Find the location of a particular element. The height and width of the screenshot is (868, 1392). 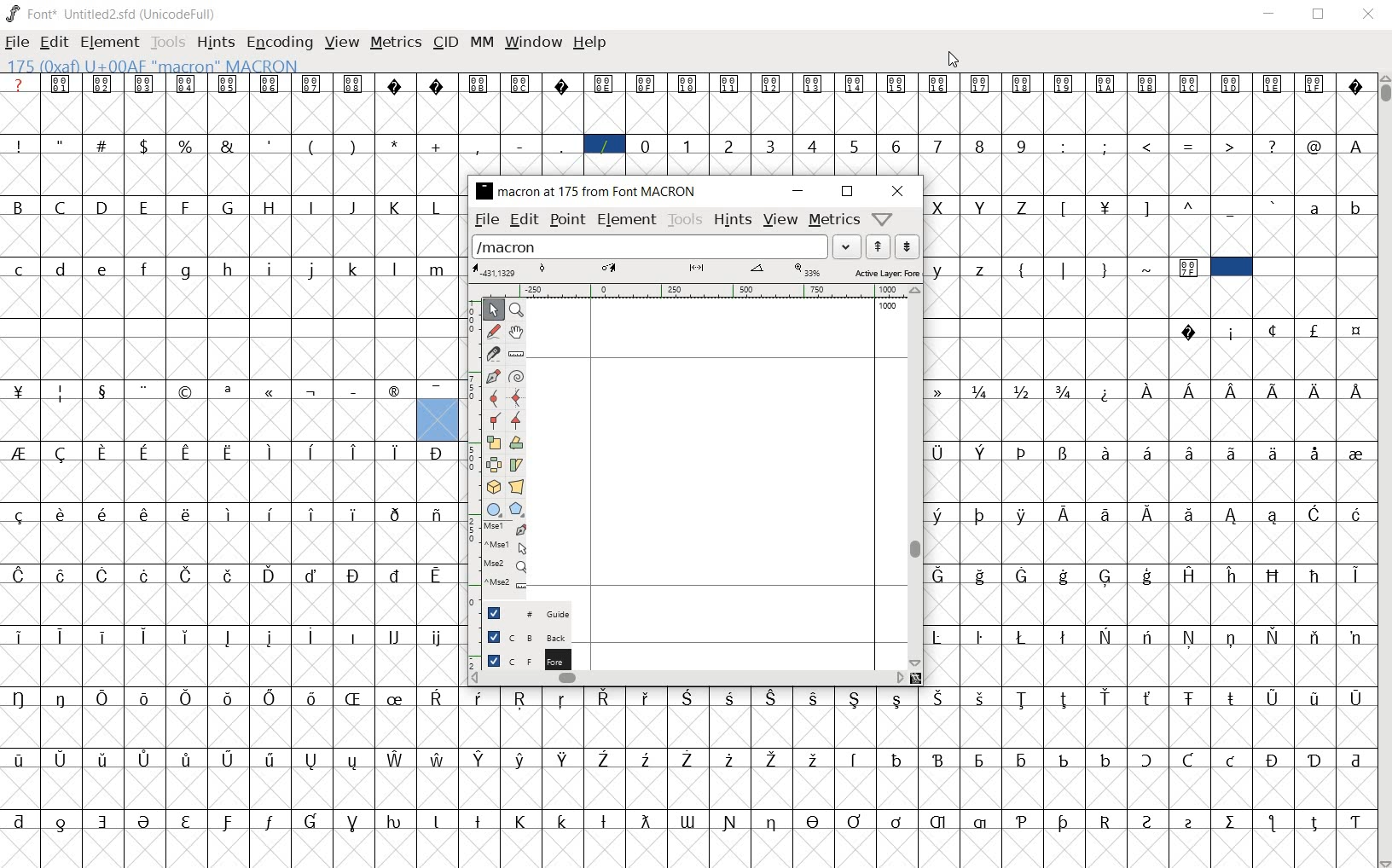

maximize is located at coordinates (848, 192).